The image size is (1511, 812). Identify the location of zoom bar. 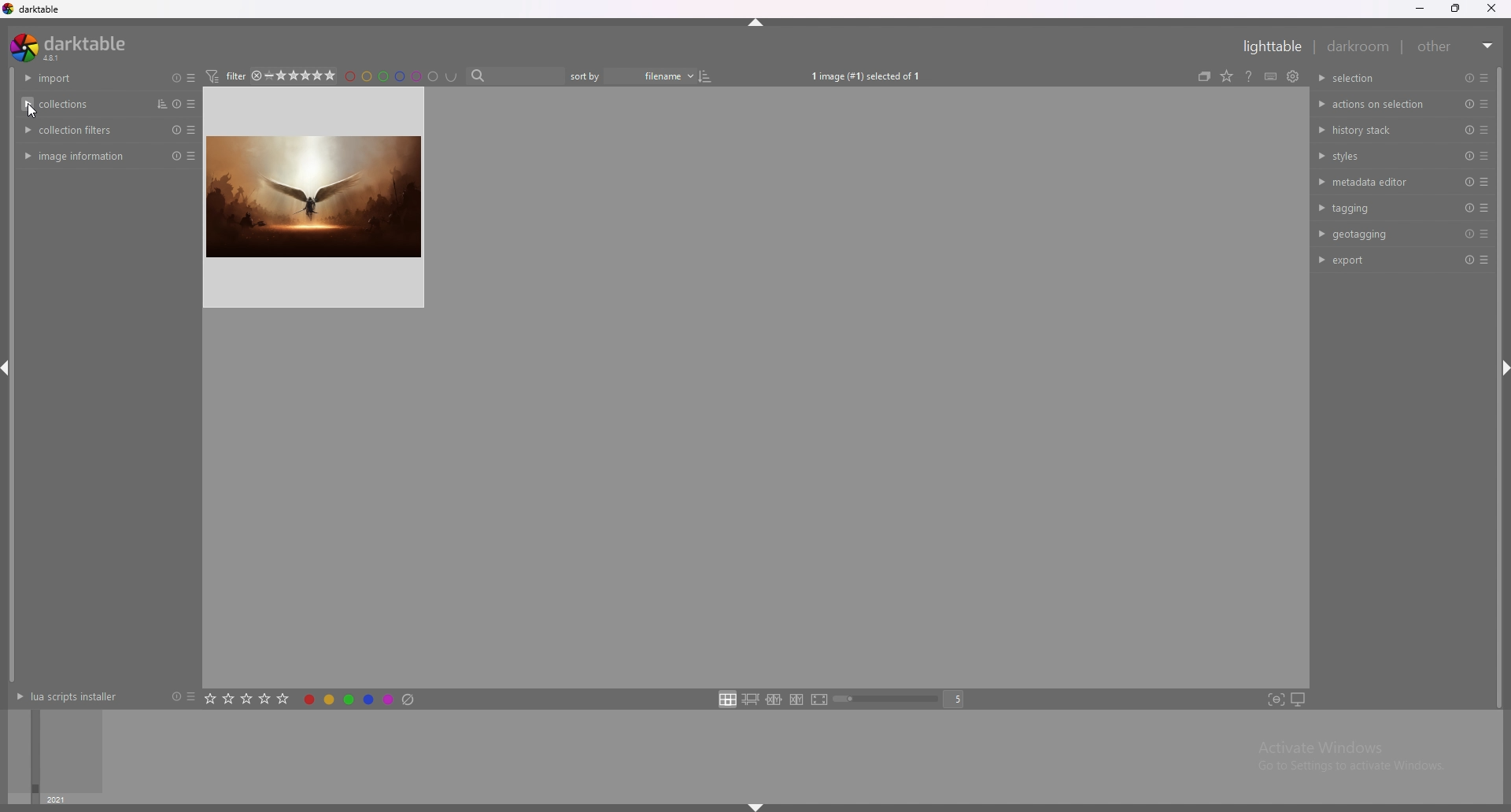
(888, 700).